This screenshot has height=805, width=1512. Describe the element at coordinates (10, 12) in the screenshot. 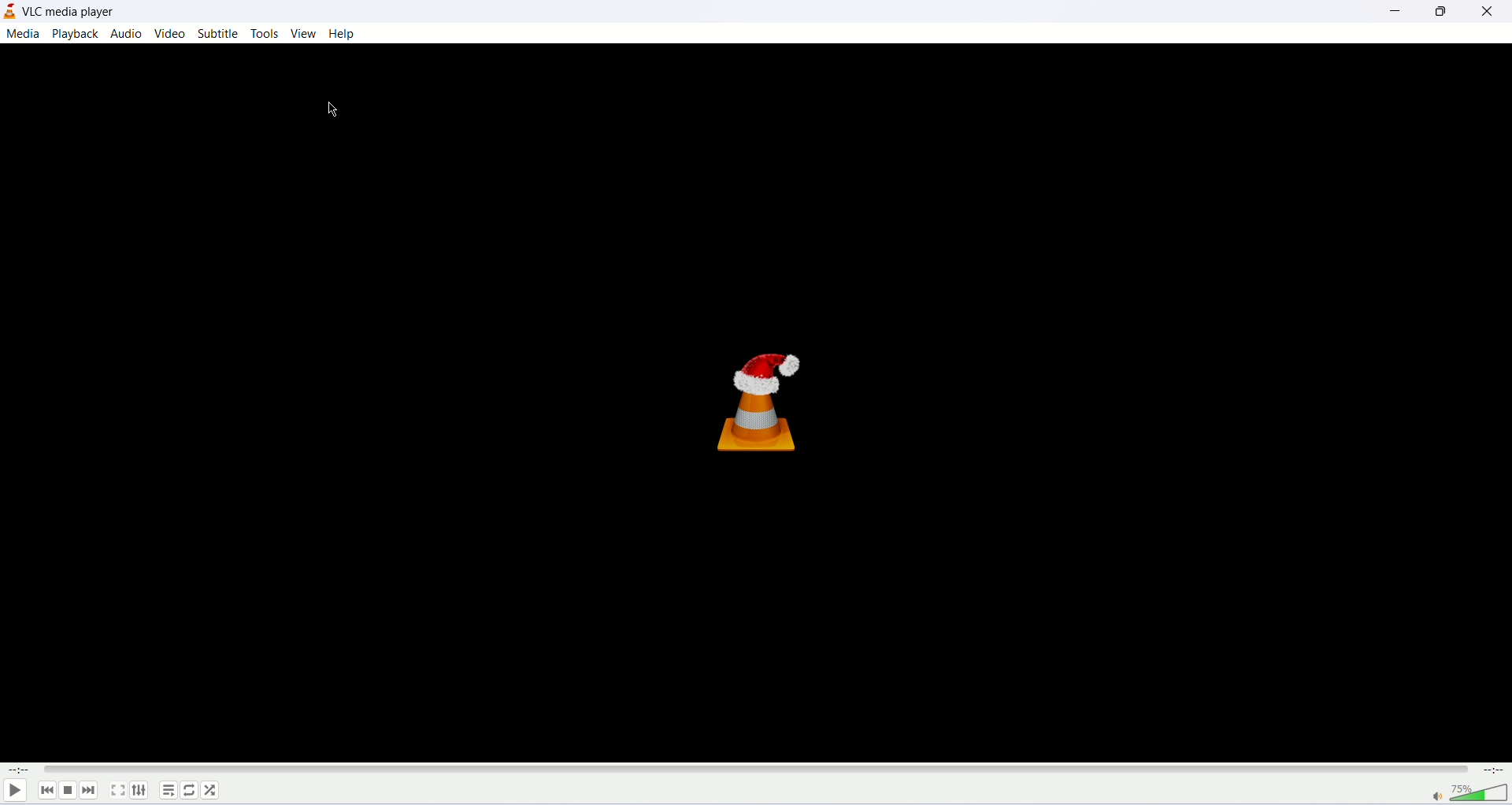

I see `logo` at that location.